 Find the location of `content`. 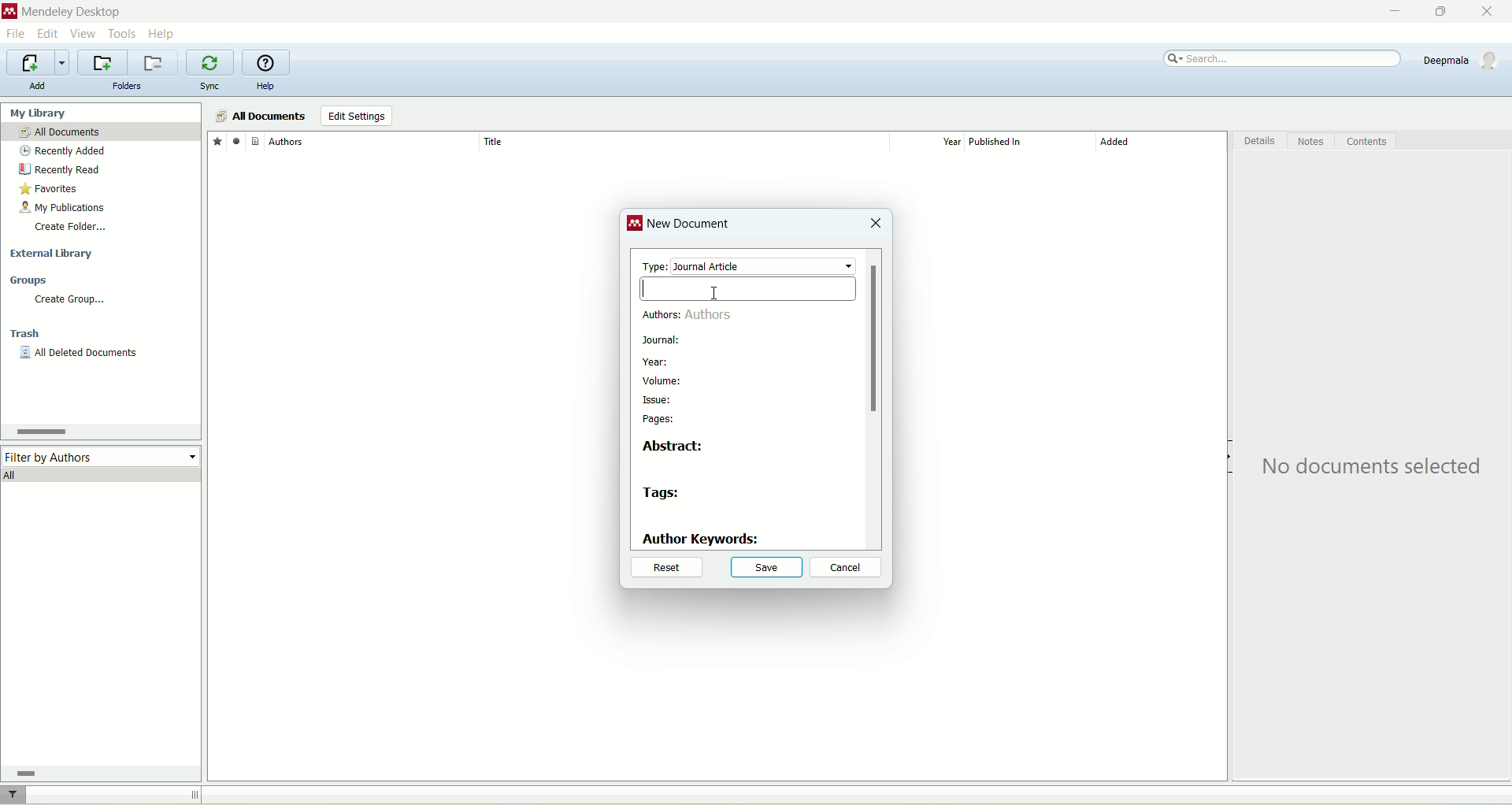

content is located at coordinates (1366, 142).